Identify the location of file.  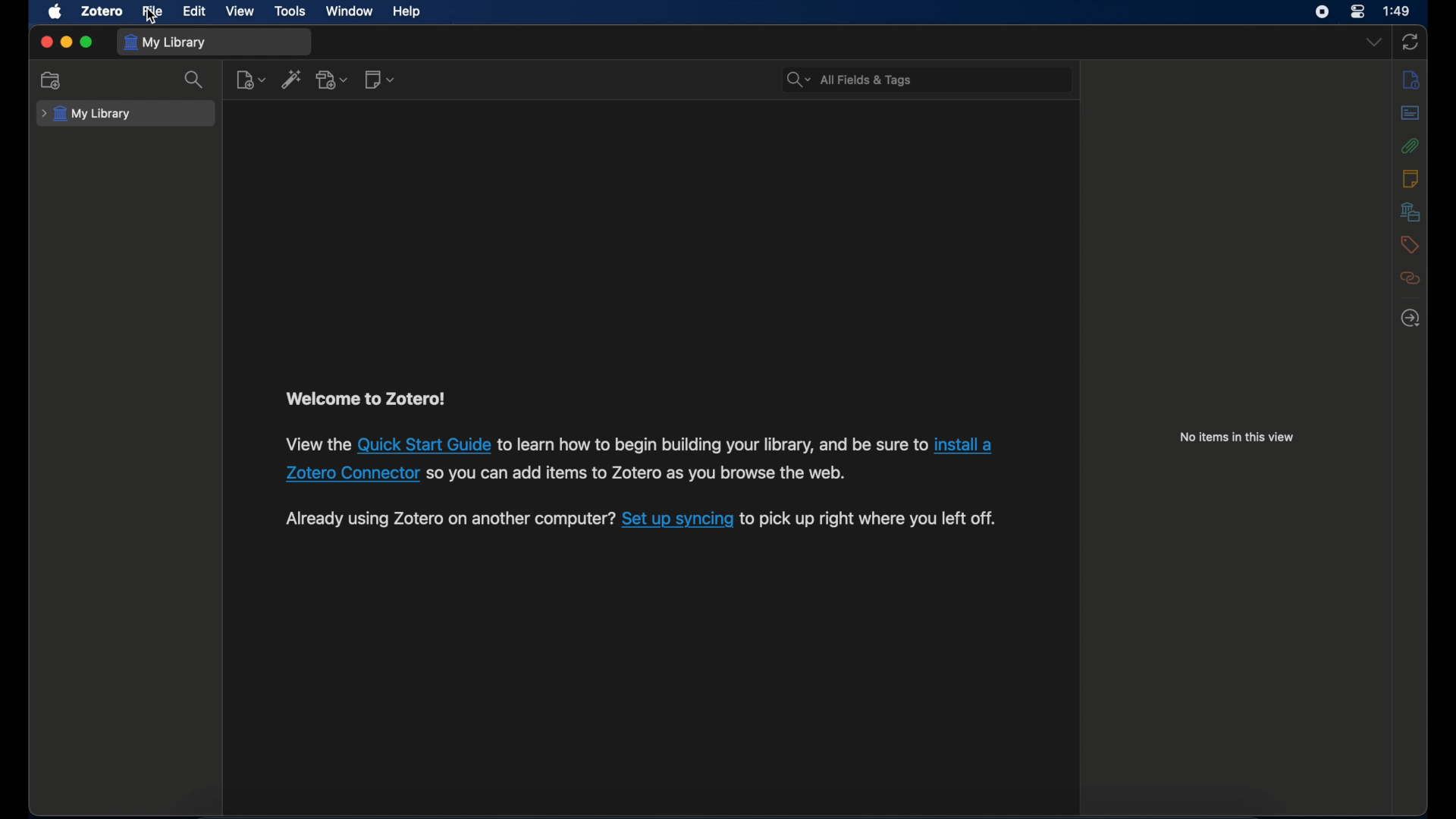
(153, 12).